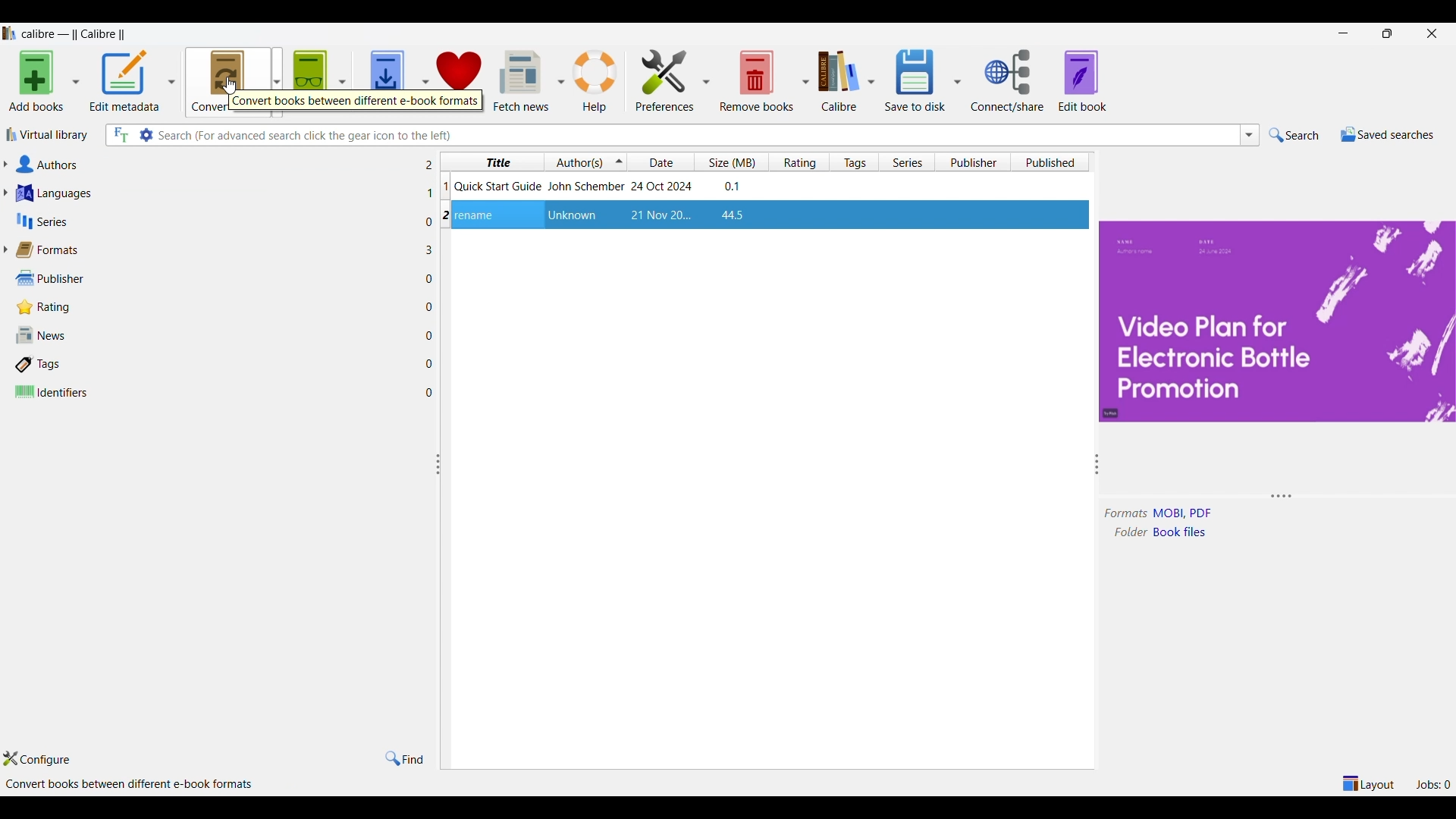 The width and height of the screenshot is (1456, 819). What do you see at coordinates (798, 162) in the screenshot?
I see `Rating column` at bounding box center [798, 162].